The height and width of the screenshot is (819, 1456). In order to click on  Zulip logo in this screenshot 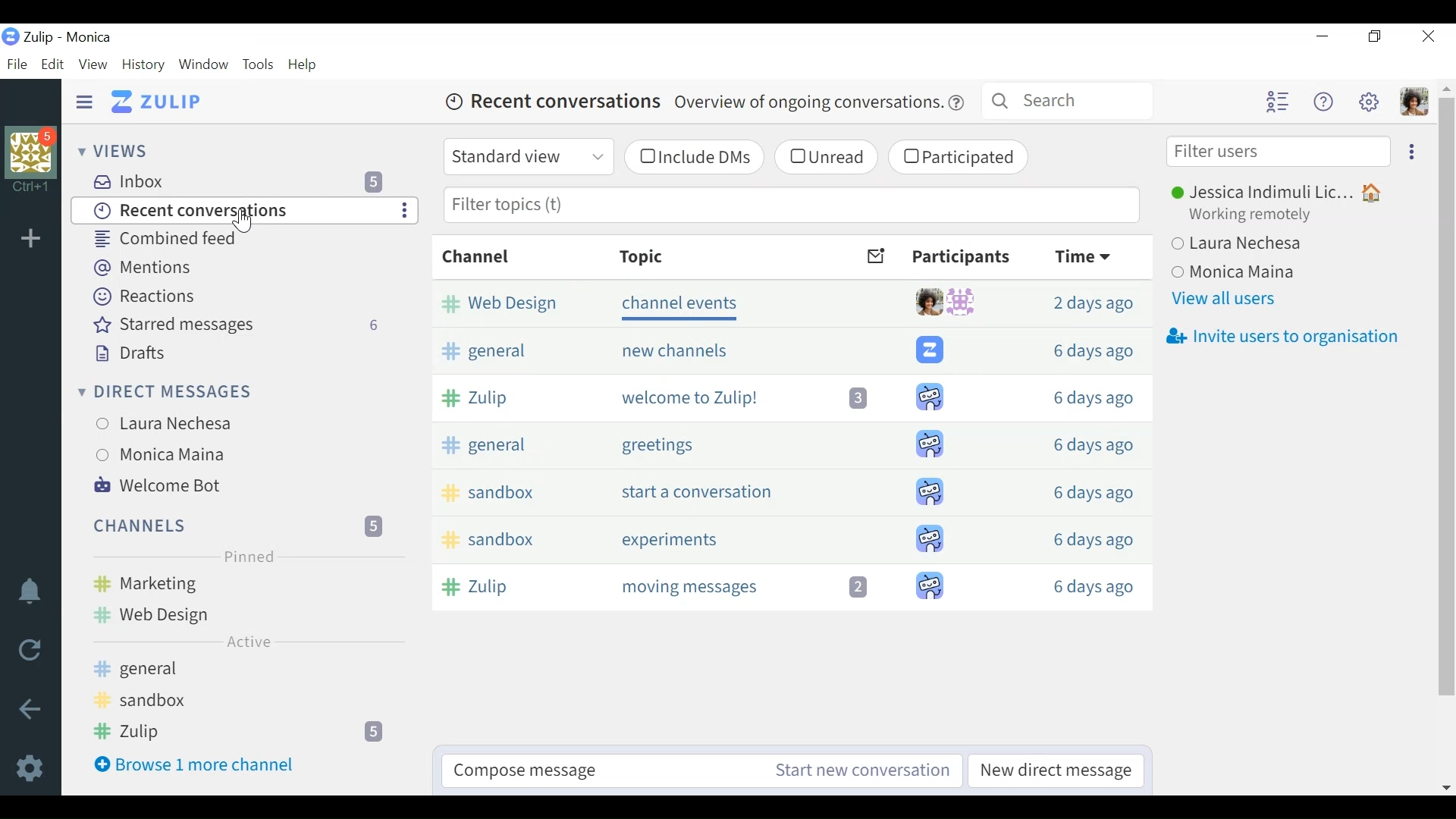, I will do `click(11, 36)`.